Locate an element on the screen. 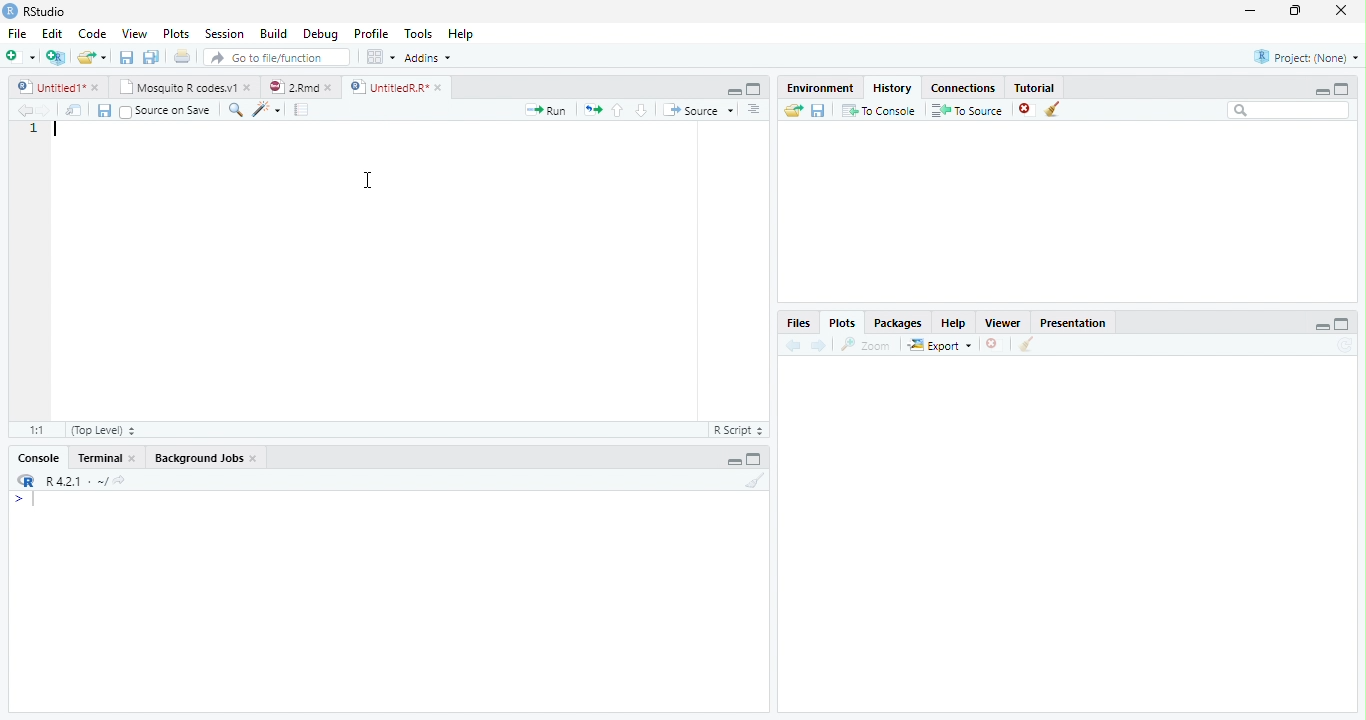 The height and width of the screenshot is (720, 1366). Environment is located at coordinates (818, 88).